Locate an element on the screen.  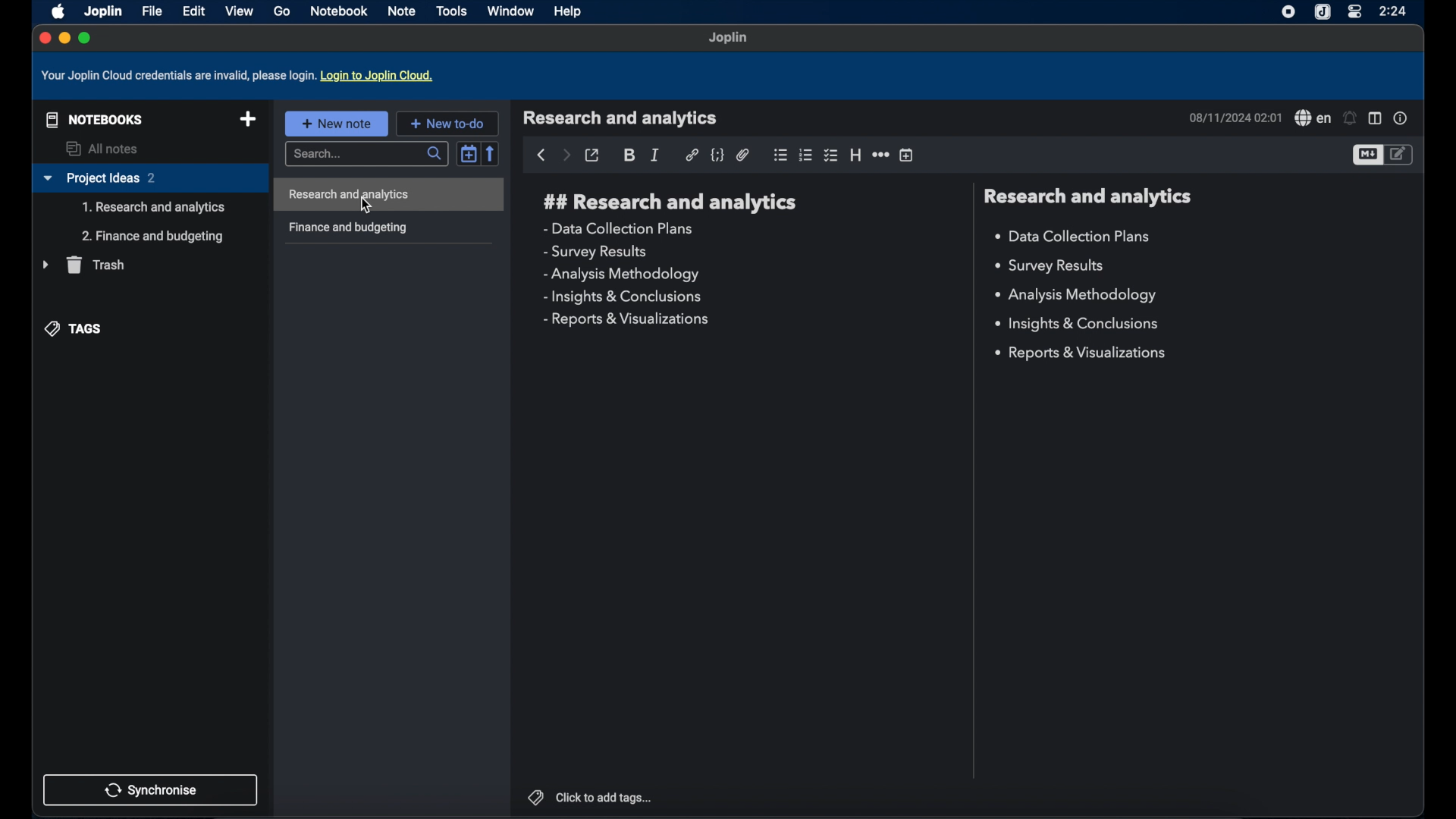
italic is located at coordinates (656, 155).